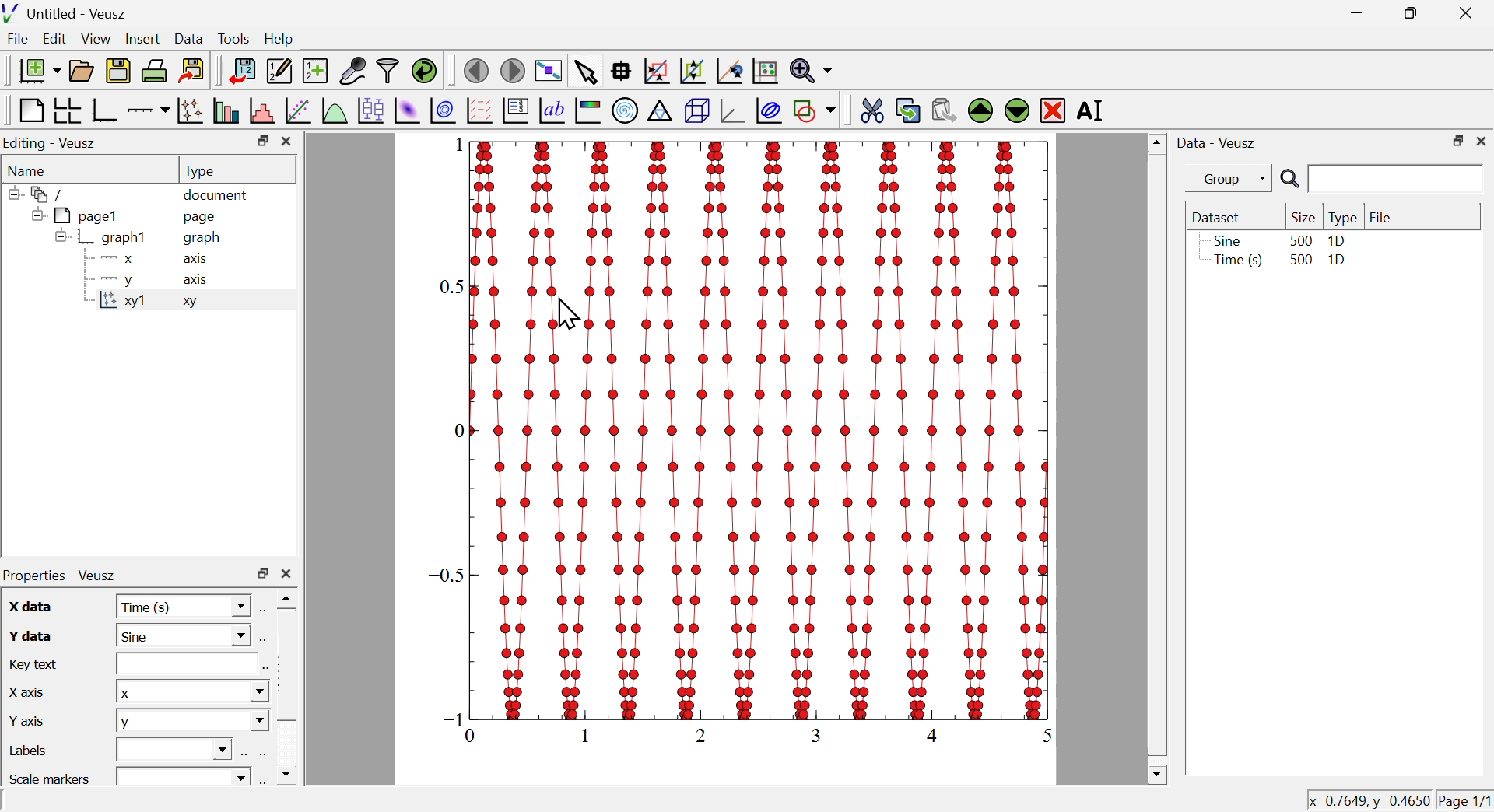 The height and width of the screenshot is (812, 1494). I want to click on view plot full screen, so click(549, 69).